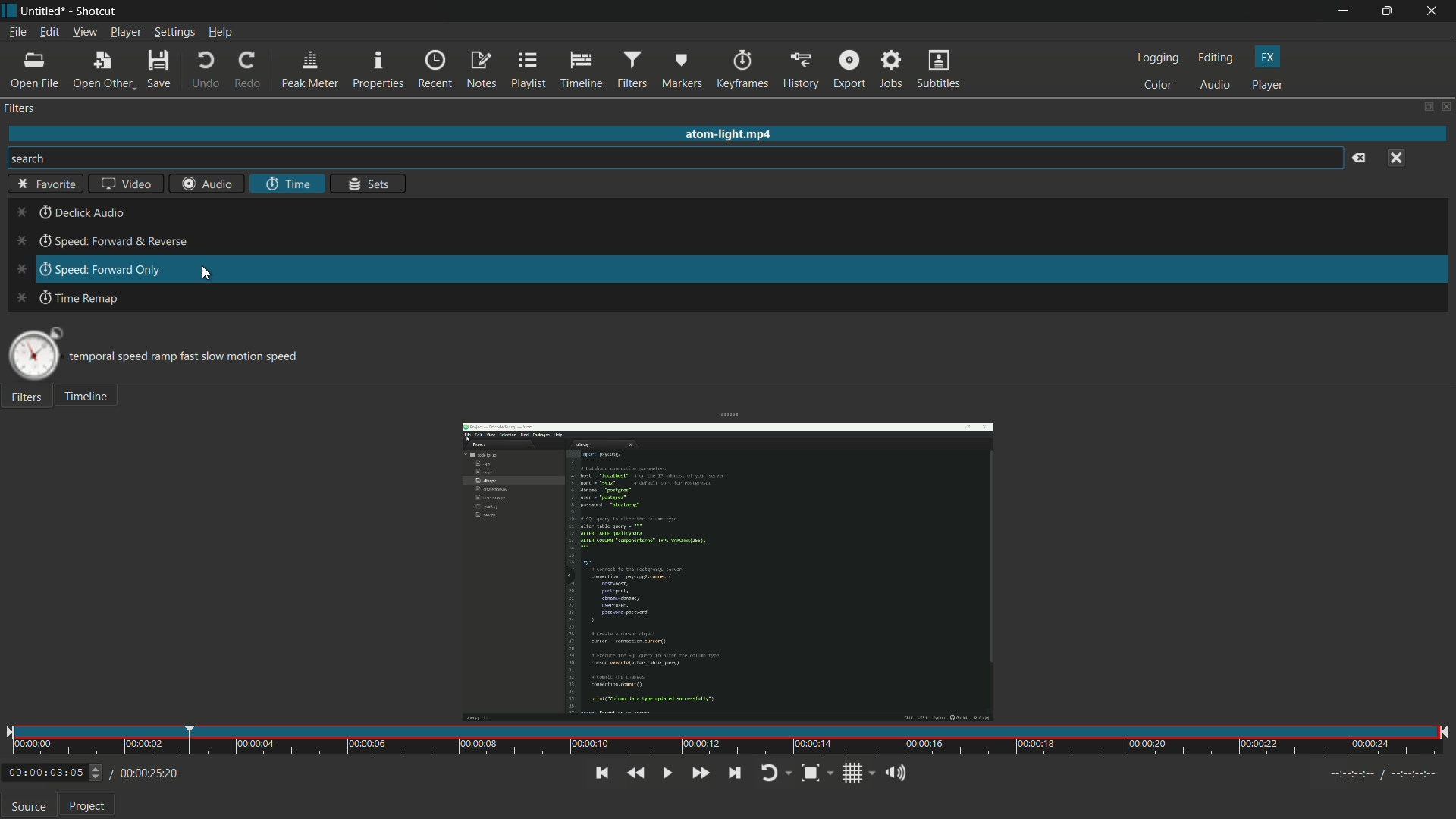 The width and height of the screenshot is (1456, 819). What do you see at coordinates (161, 71) in the screenshot?
I see `save` at bounding box center [161, 71].